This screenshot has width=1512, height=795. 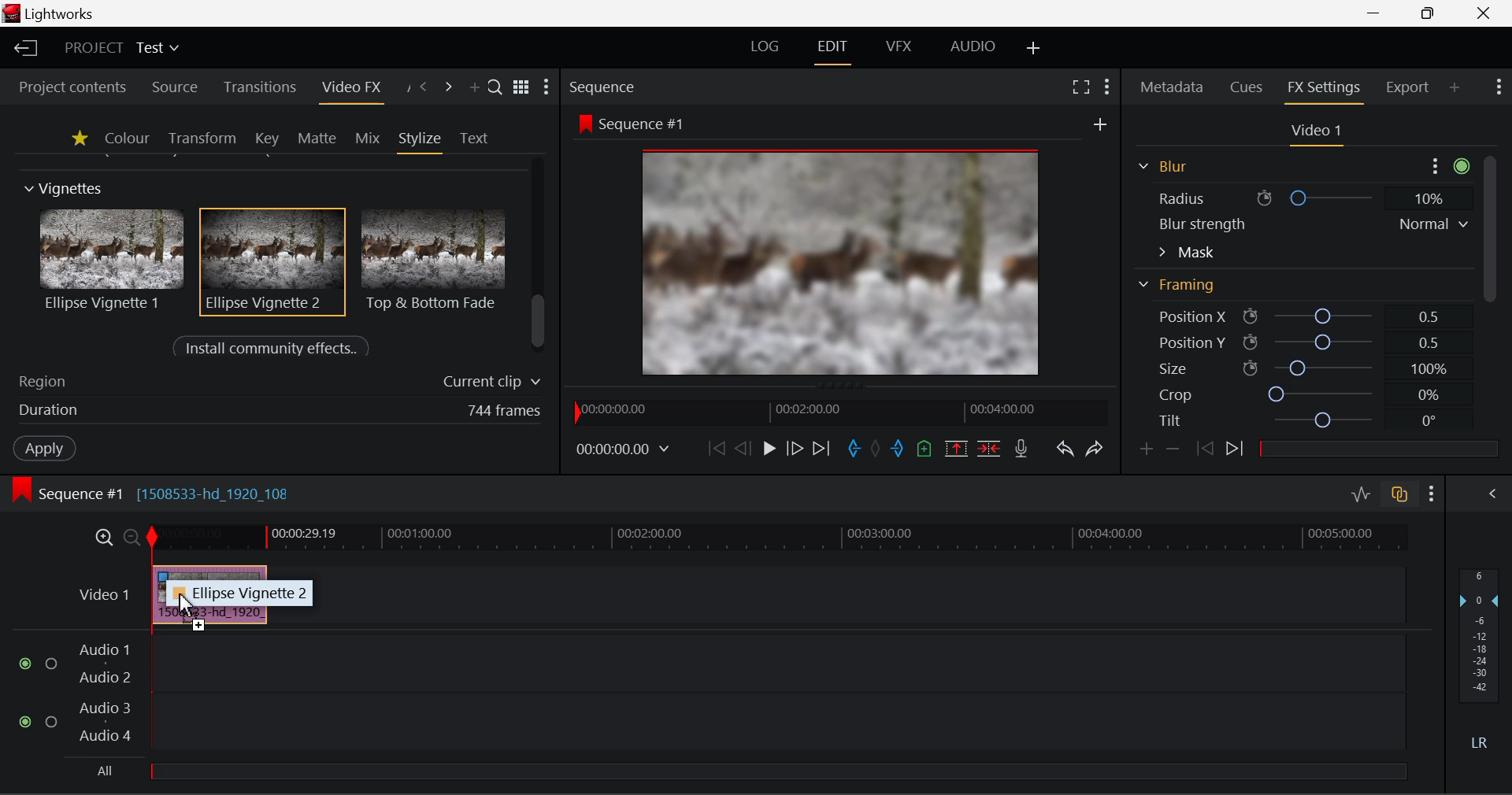 I want to click on Remove Marked Section, so click(x=958, y=447).